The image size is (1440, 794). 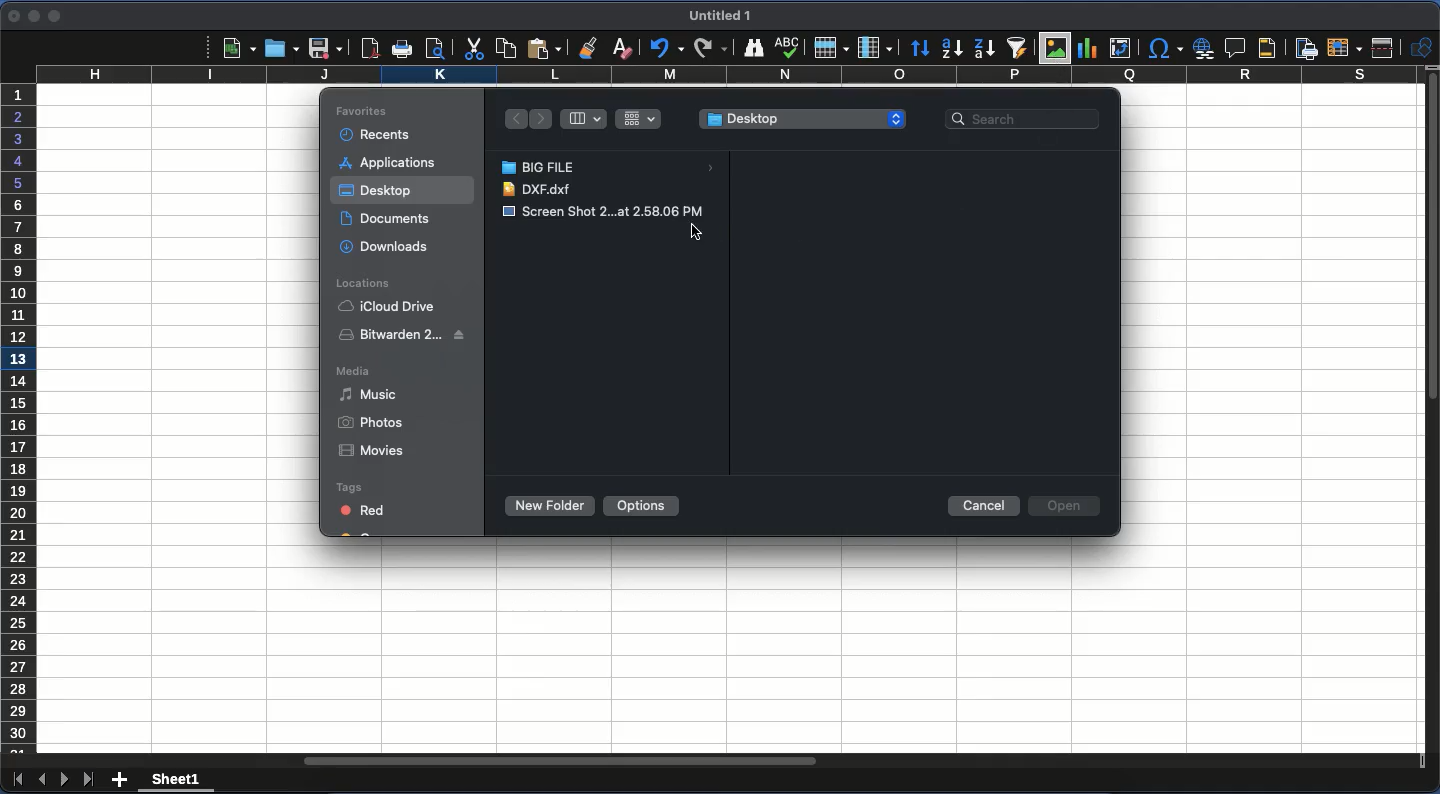 What do you see at coordinates (514, 119) in the screenshot?
I see `back` at bounding box center [514, 119].